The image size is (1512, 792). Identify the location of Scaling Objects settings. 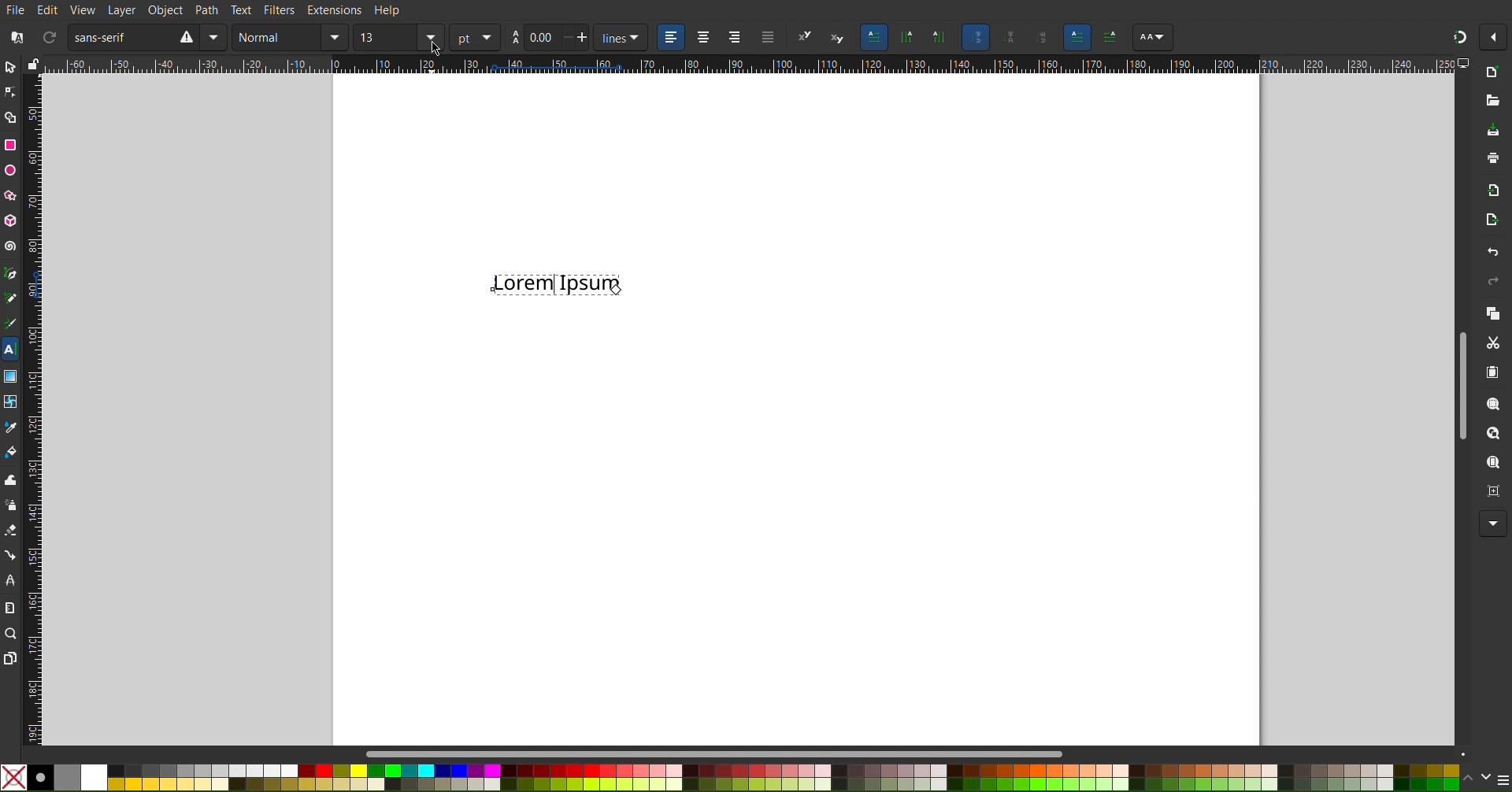
(907, 37).